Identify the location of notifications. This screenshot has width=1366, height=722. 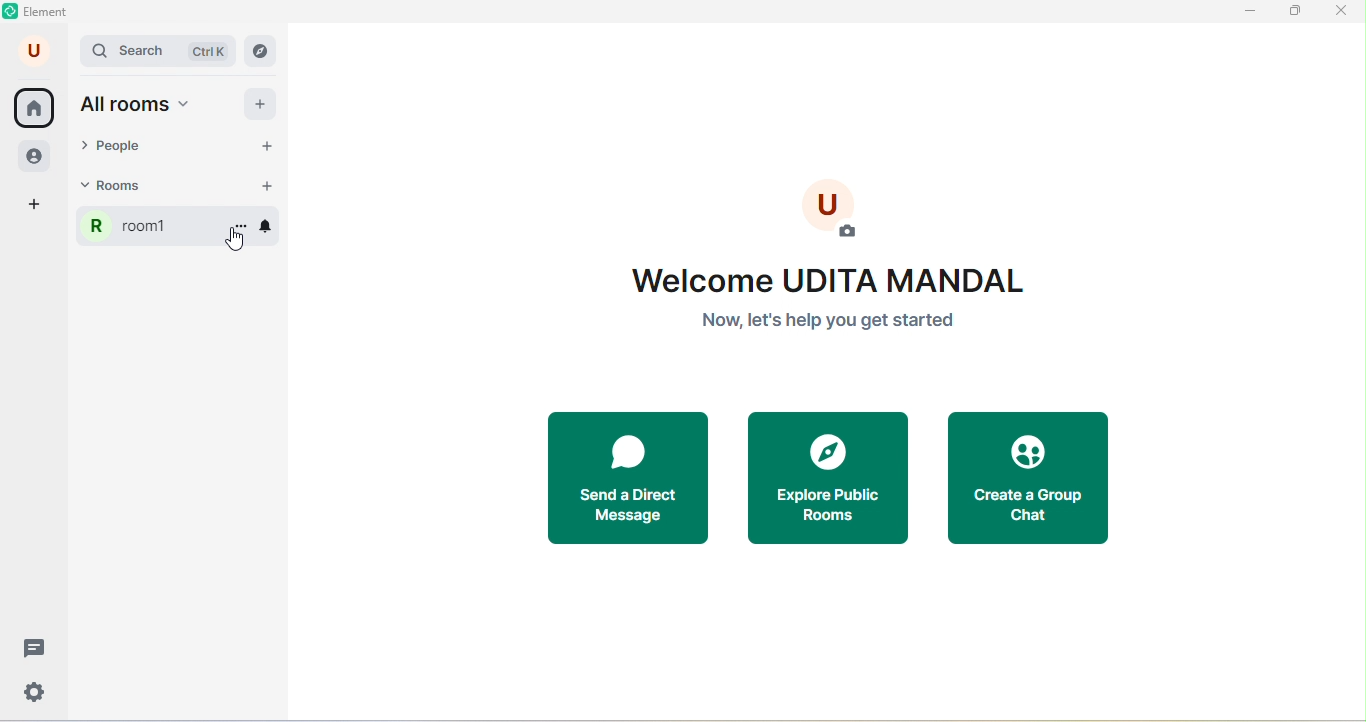
(275, 223).